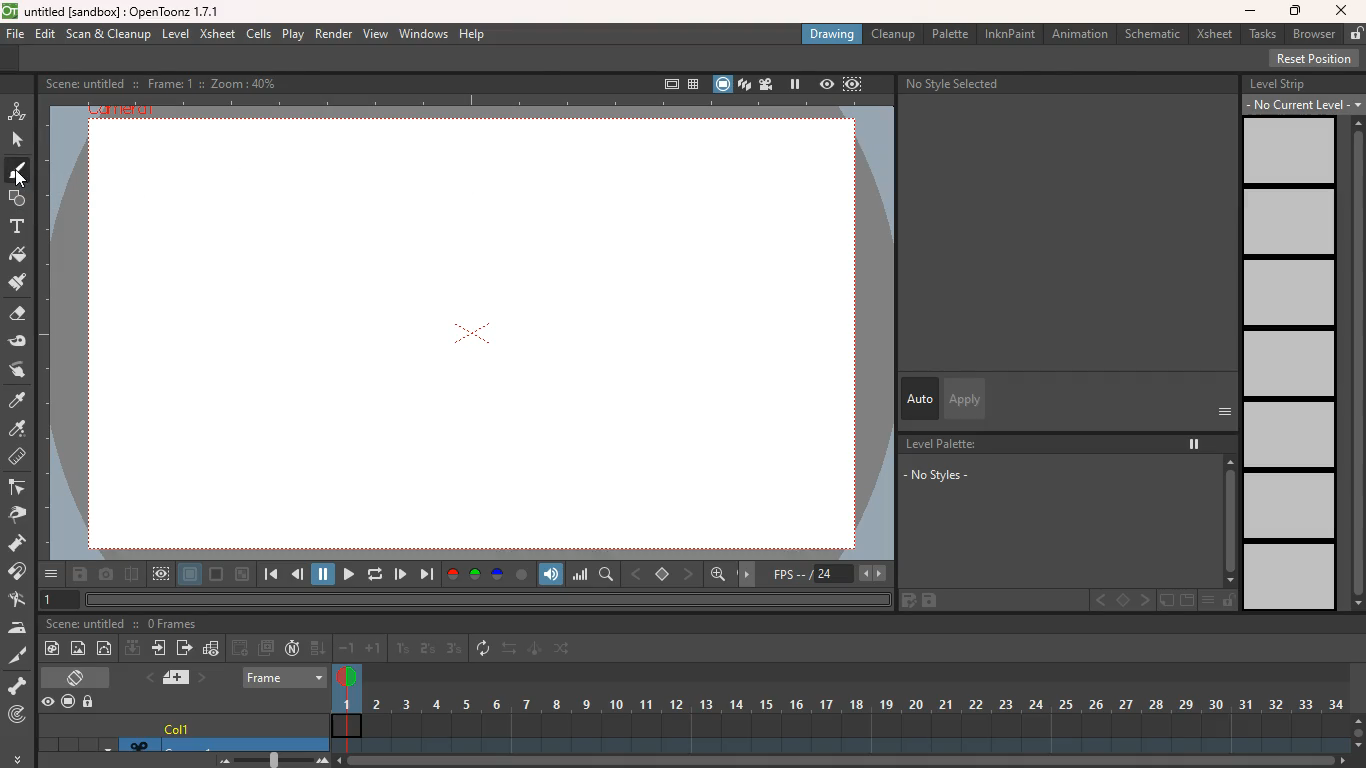 The image size is (1366, 768). What do you see at coordinates (132, 650) in the screenshot?
I see `down` at bounding box center [132, 650].